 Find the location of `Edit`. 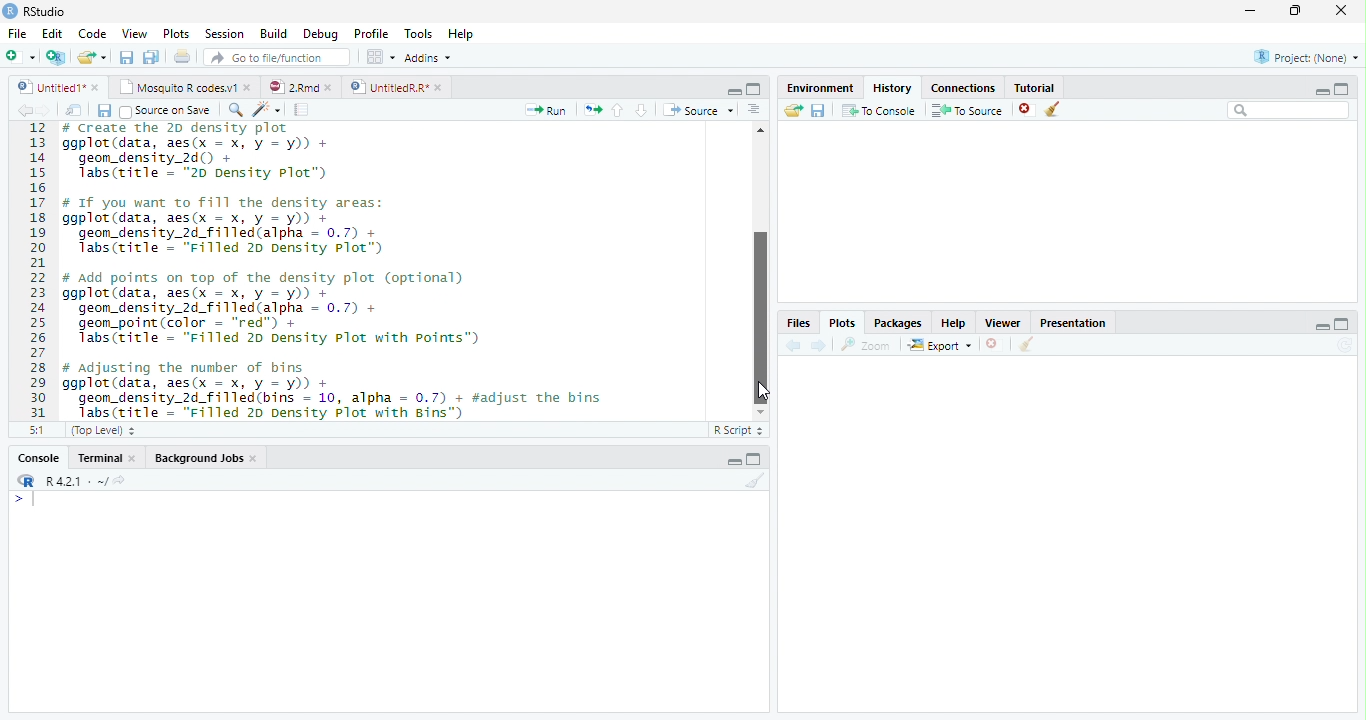

Edit is located at coordinates (52, 34).